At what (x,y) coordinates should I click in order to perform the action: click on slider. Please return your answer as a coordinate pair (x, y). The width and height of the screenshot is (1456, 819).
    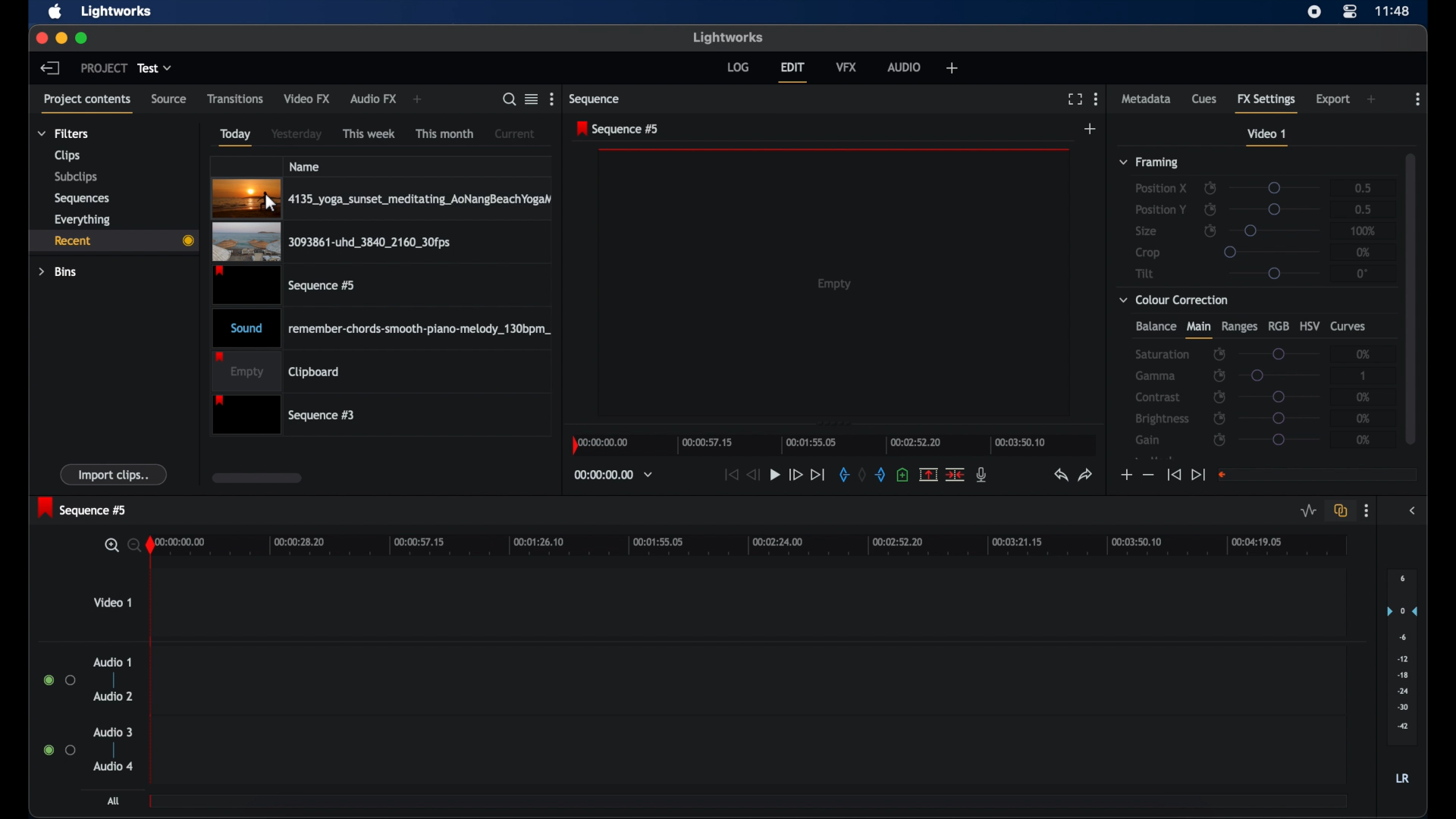
    Looking at the image, I should click on (1279, 440).